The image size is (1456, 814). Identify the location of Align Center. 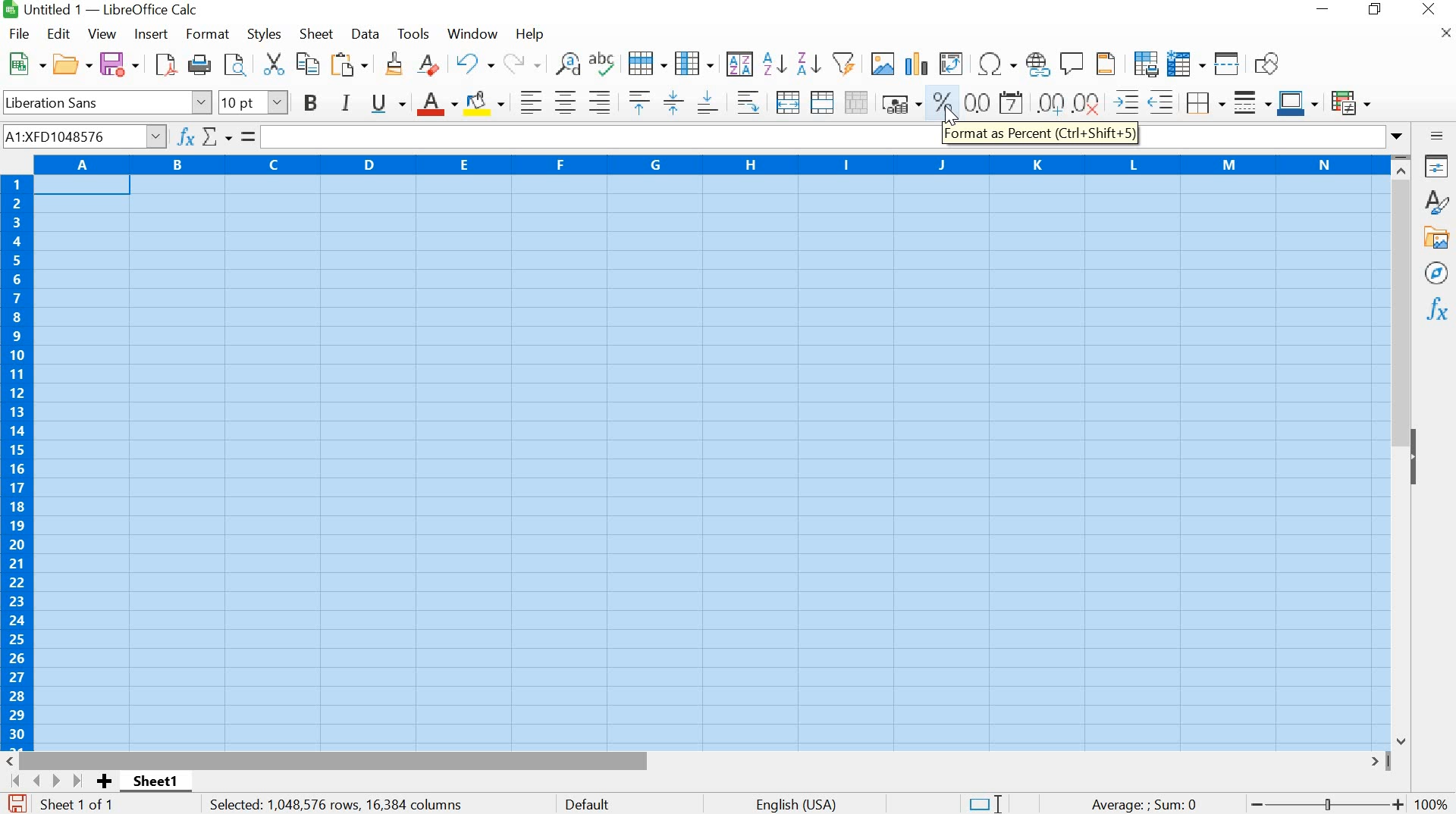
(565, 103).